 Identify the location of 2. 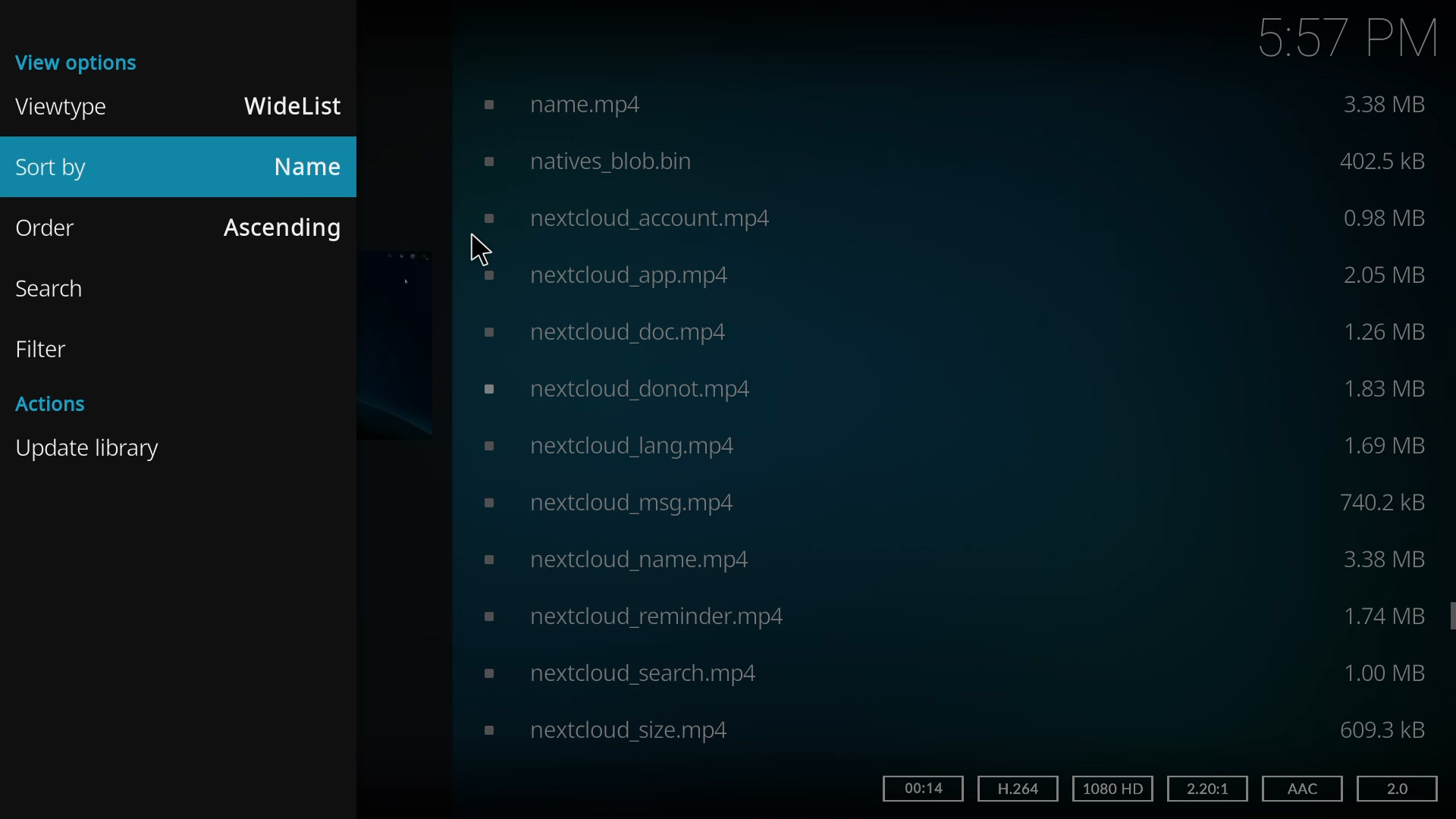
(1204, 787).